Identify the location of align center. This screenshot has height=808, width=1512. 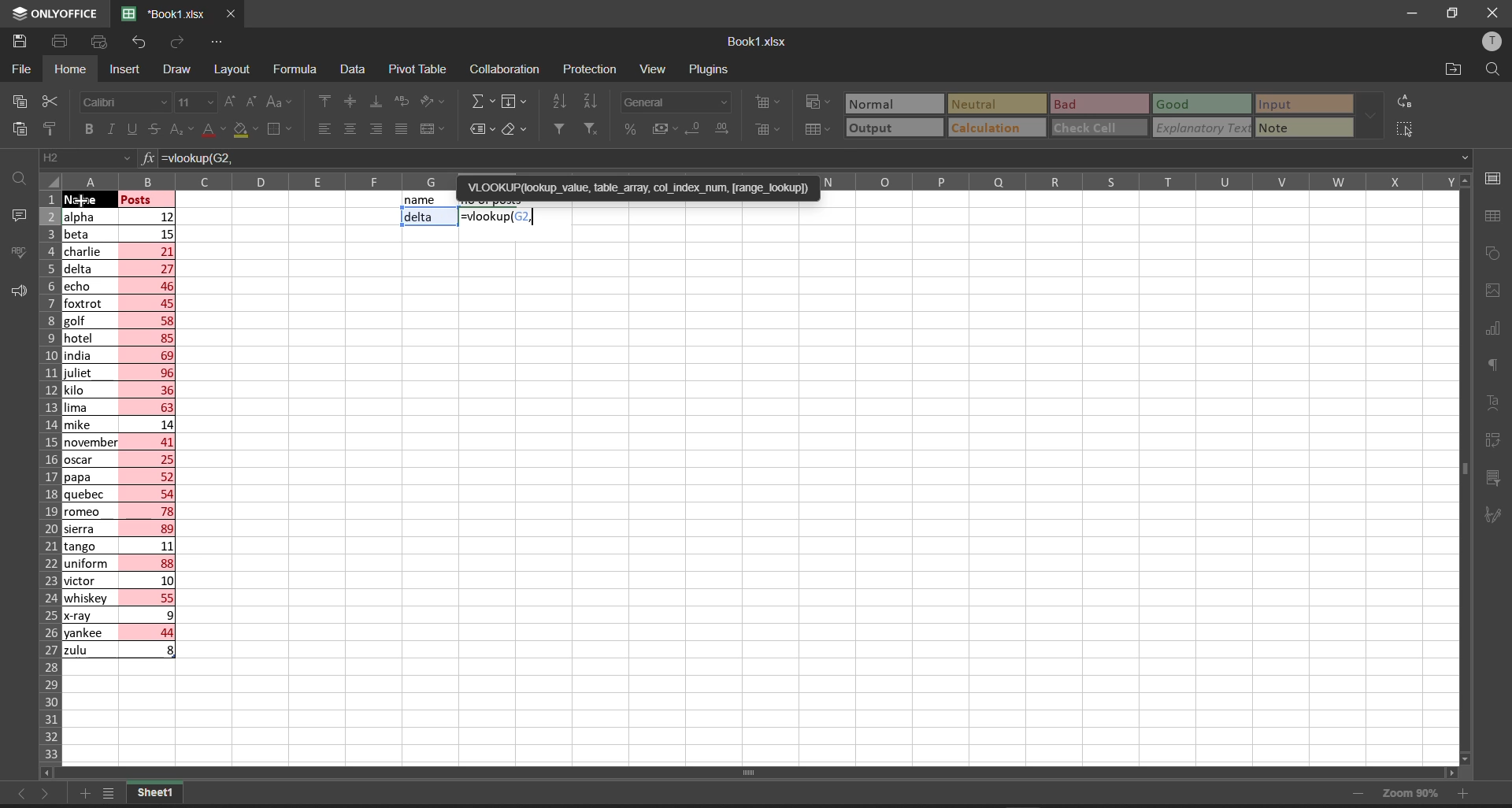
(348, 130).